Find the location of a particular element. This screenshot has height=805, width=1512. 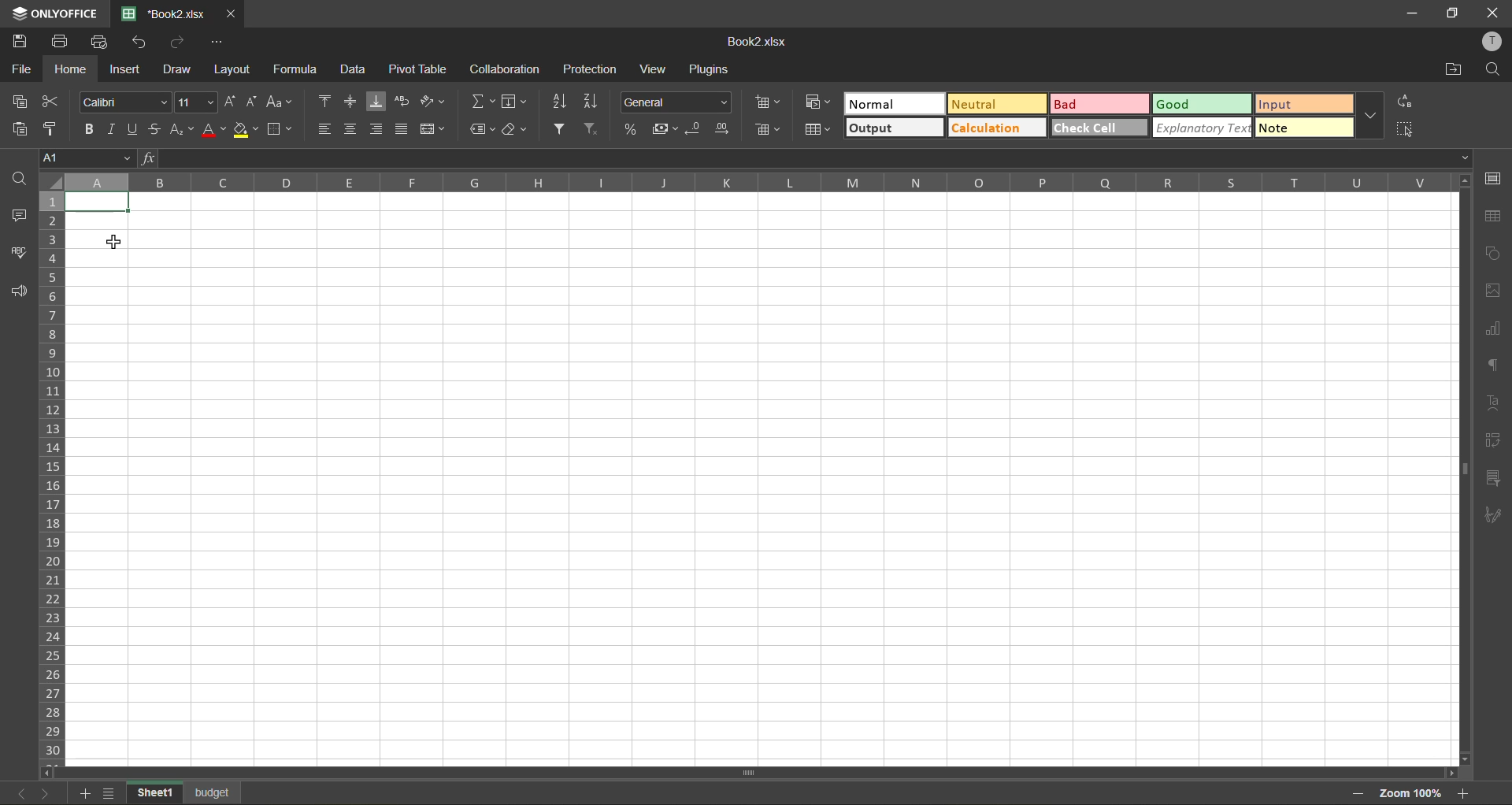

summation is located at coordinates (480, 102).